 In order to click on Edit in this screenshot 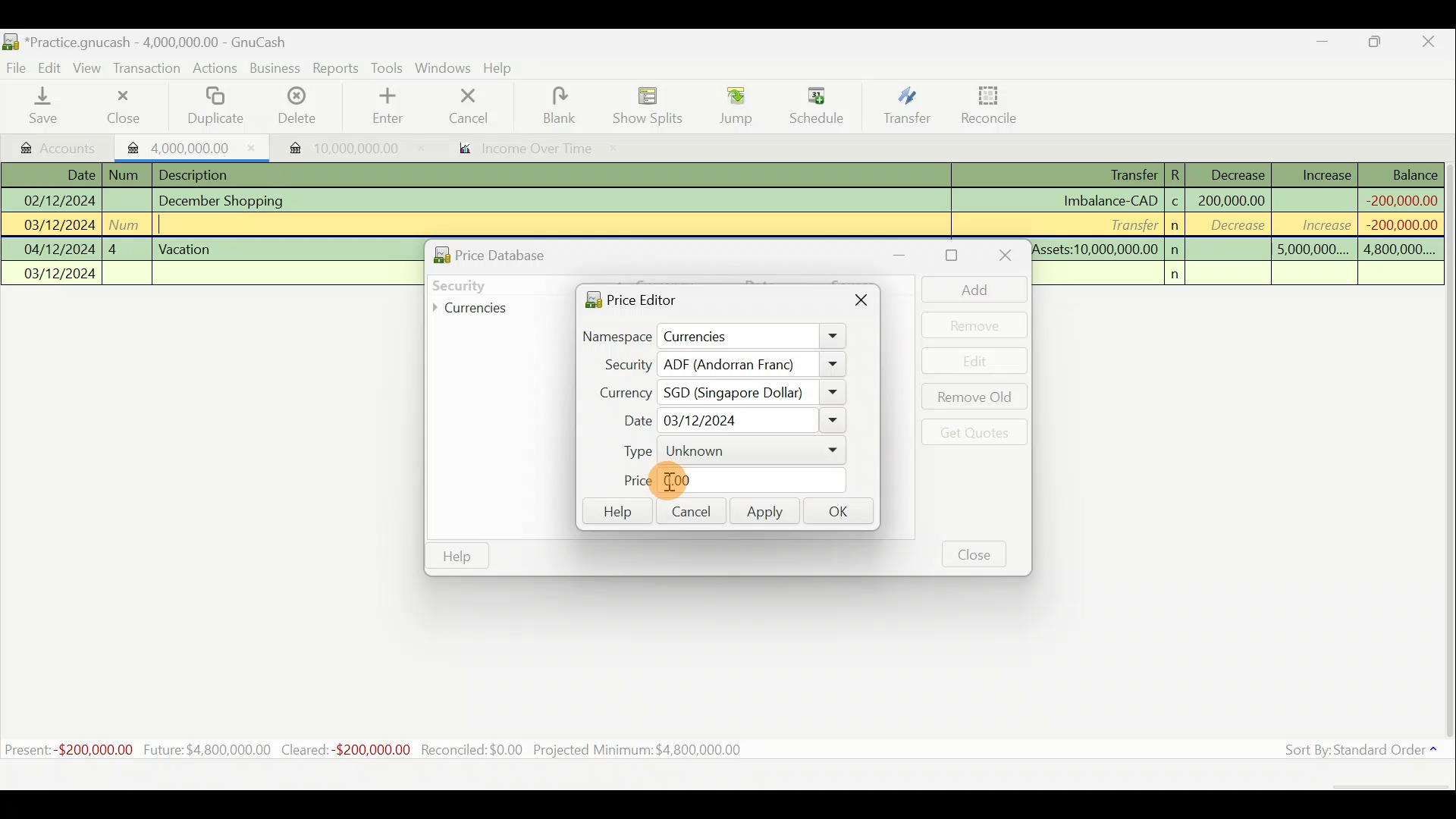, I will do `click(52, 67)`.